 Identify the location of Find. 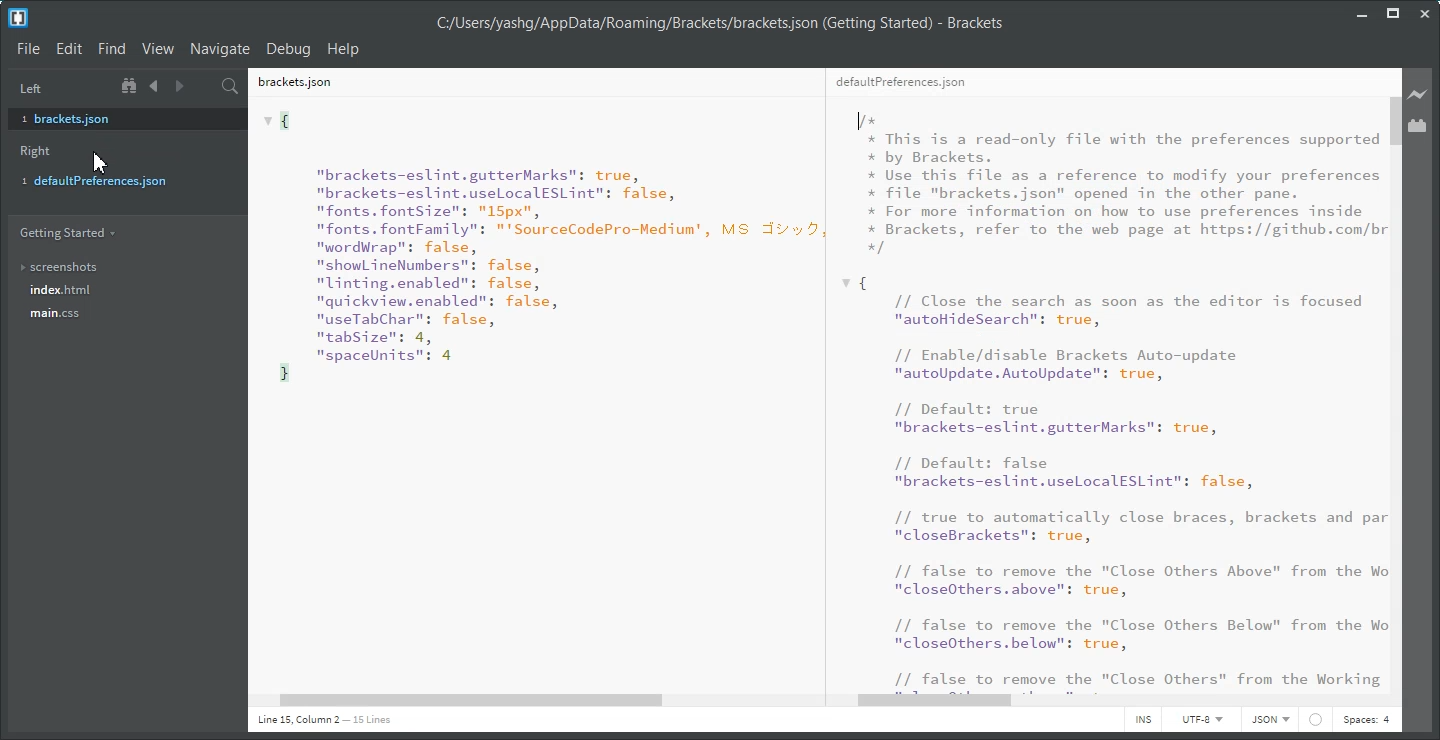
(111, 49).